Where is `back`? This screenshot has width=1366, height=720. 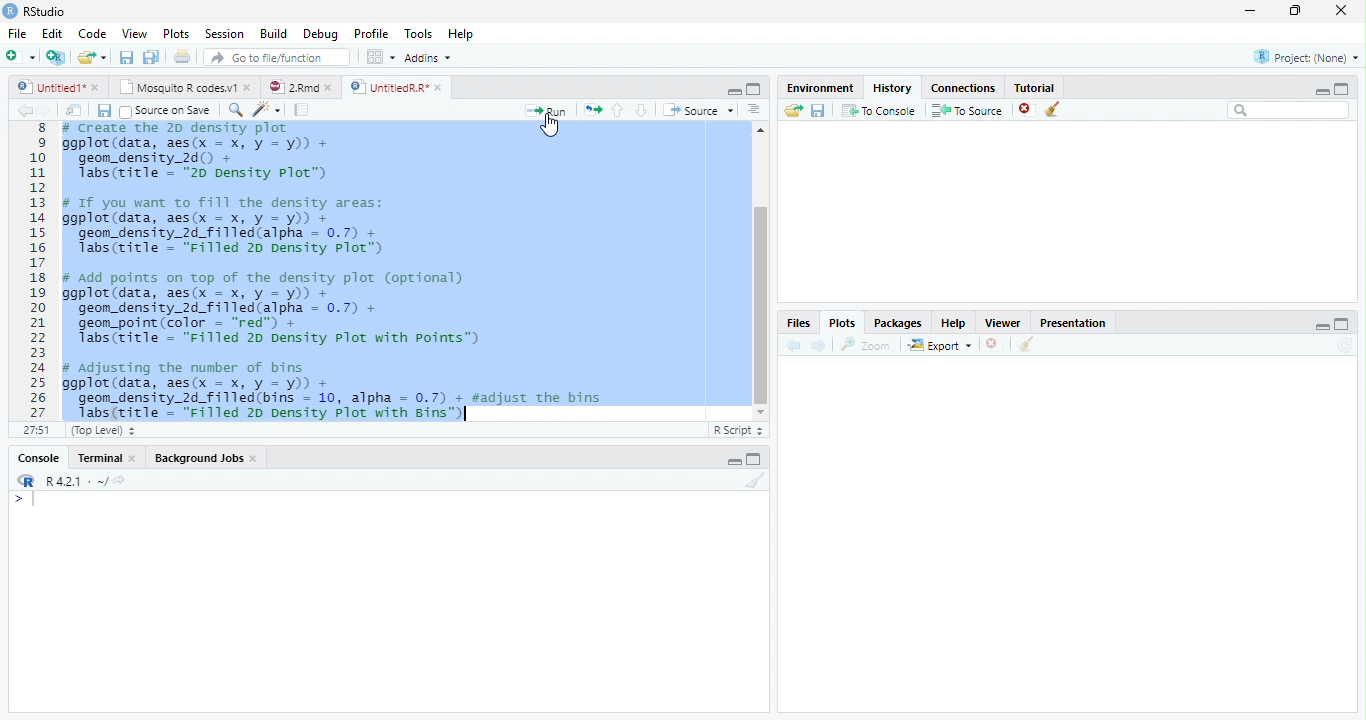 back is located at coordinates (790, 345).